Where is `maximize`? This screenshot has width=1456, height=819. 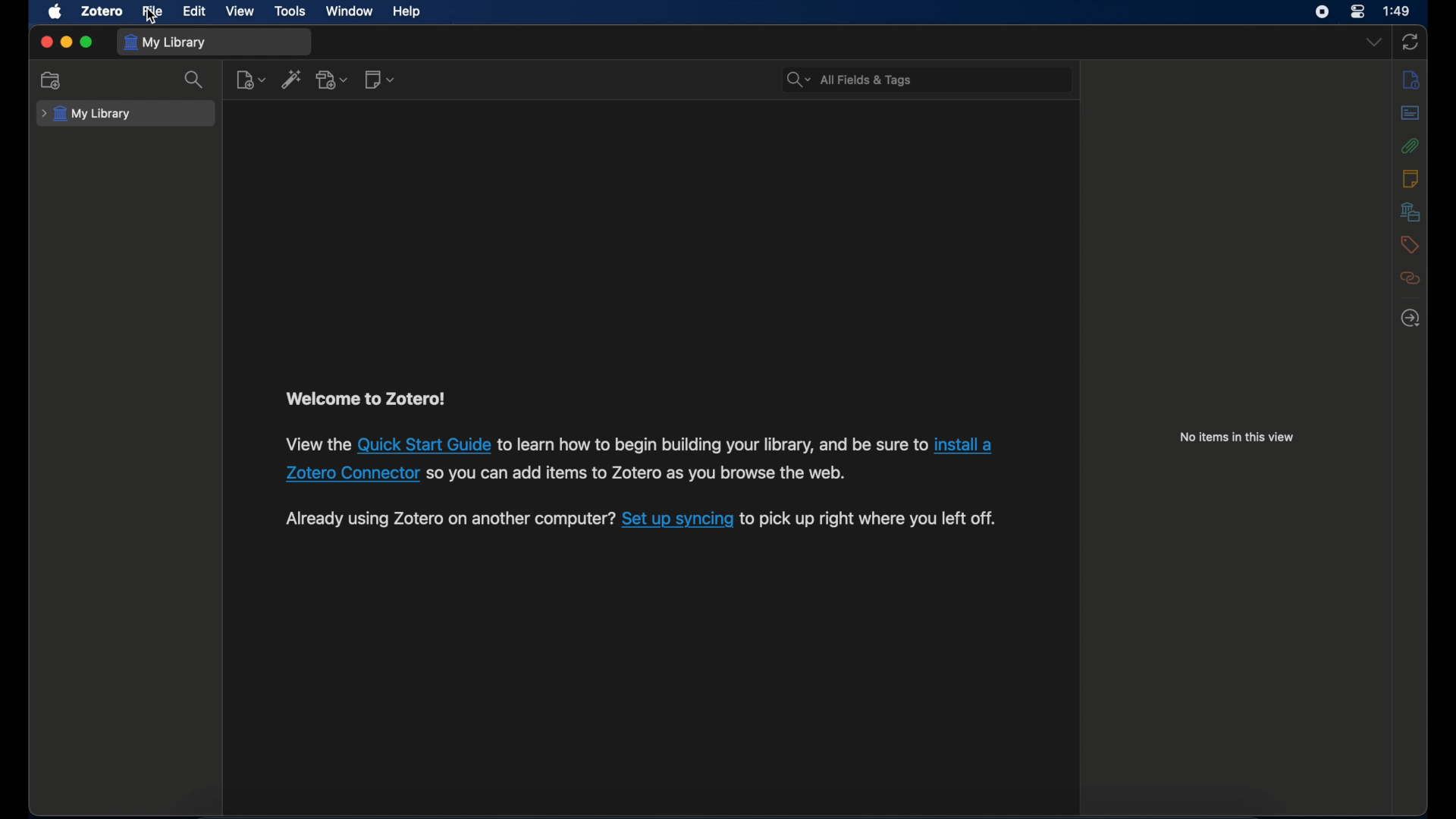 maximize is located at coordinates (86, 42).